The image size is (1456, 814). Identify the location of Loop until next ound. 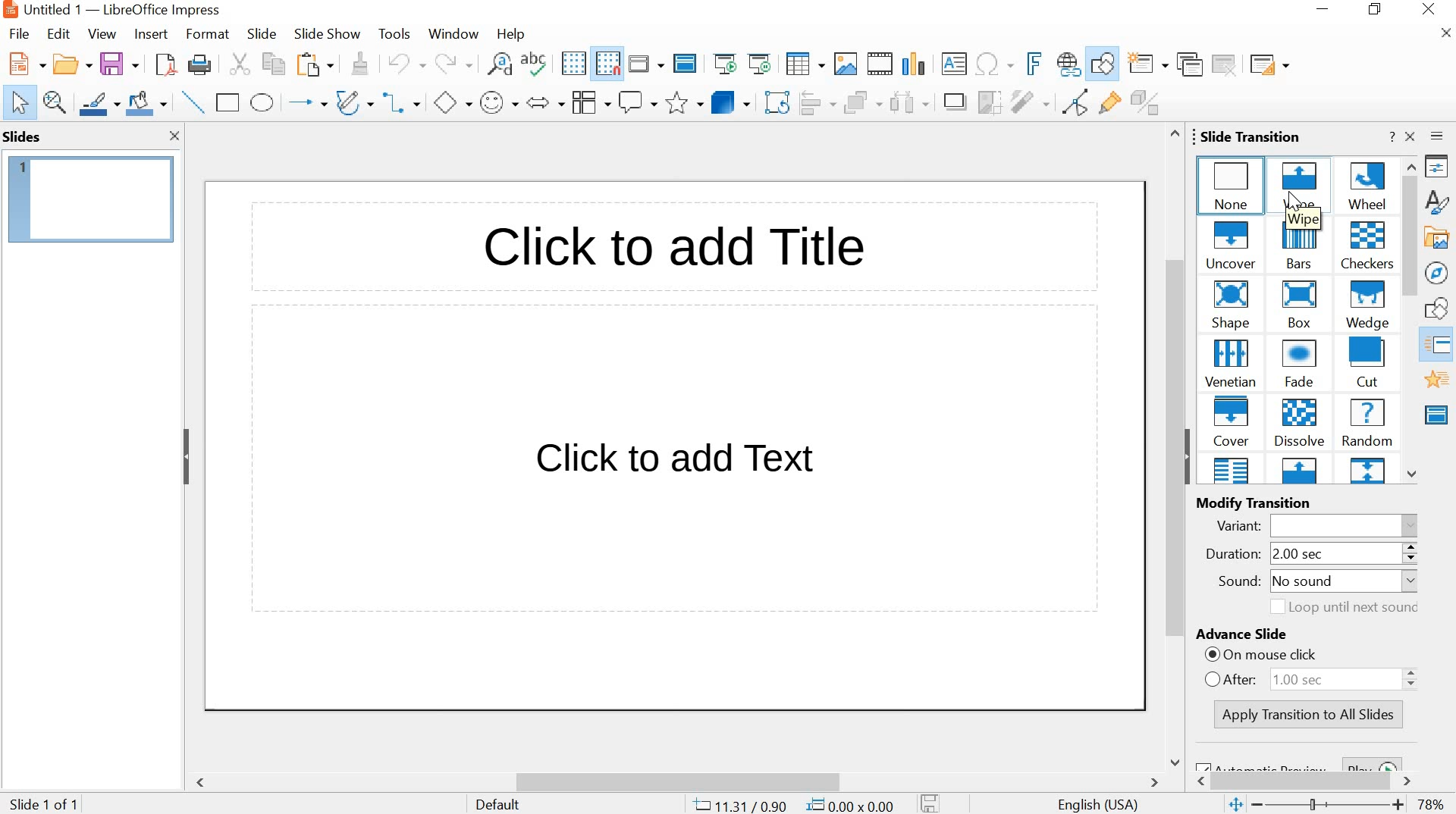
(1339, 607).